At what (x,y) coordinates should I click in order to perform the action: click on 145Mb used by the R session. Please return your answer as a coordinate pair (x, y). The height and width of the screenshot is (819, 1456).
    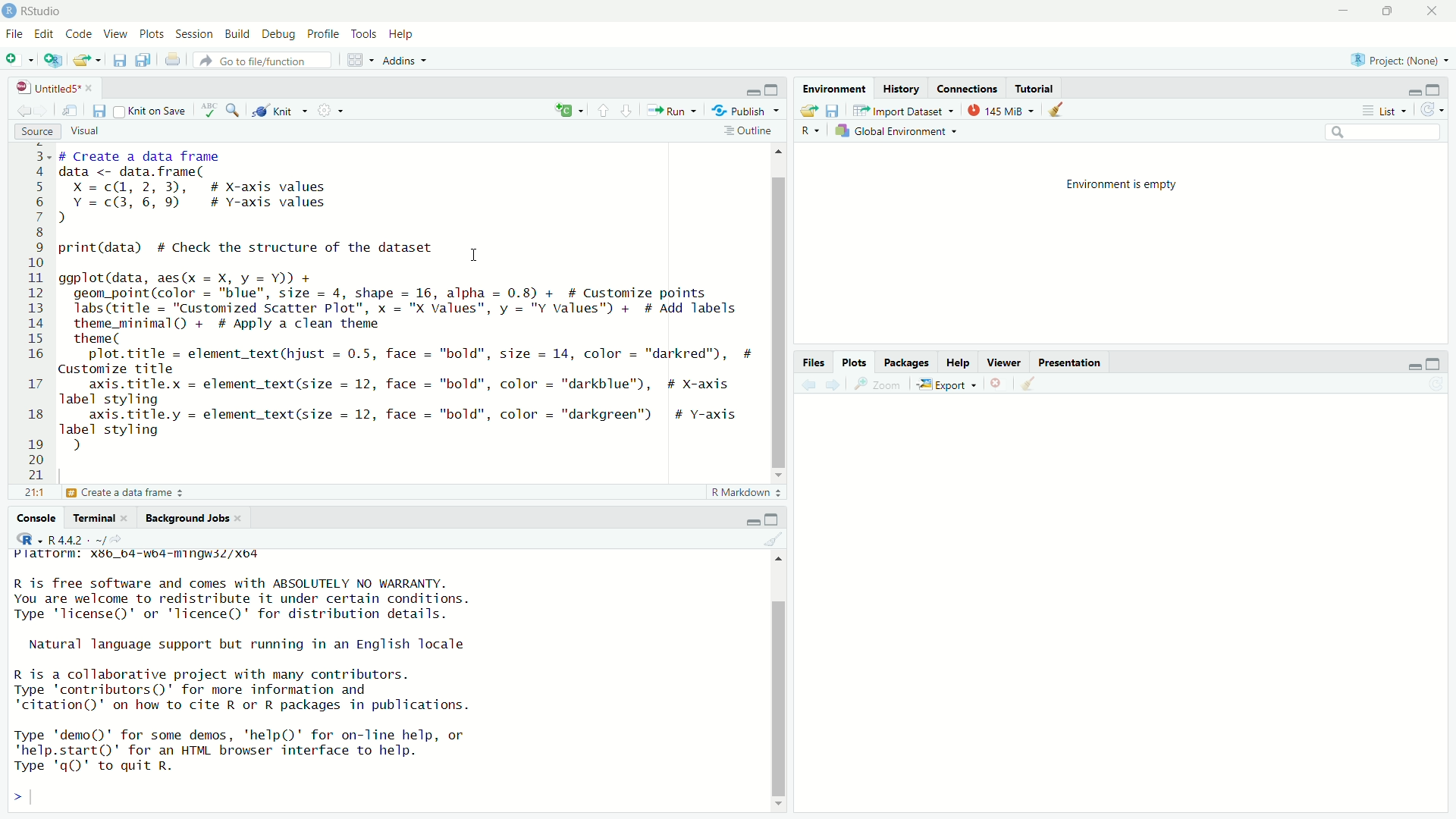
    Looking at the image, I should click on (1005, 111).